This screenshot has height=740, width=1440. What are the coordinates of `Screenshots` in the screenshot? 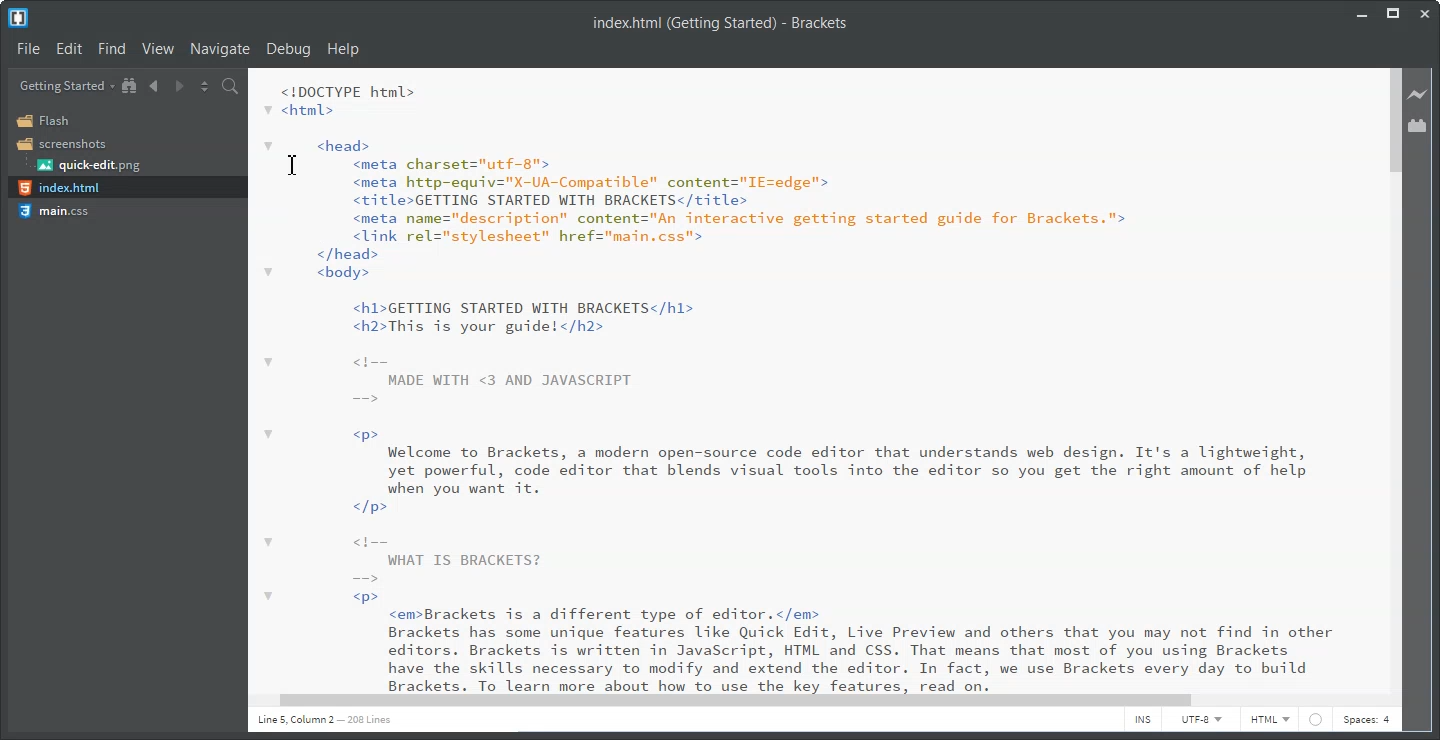 It's located at (62, 144).